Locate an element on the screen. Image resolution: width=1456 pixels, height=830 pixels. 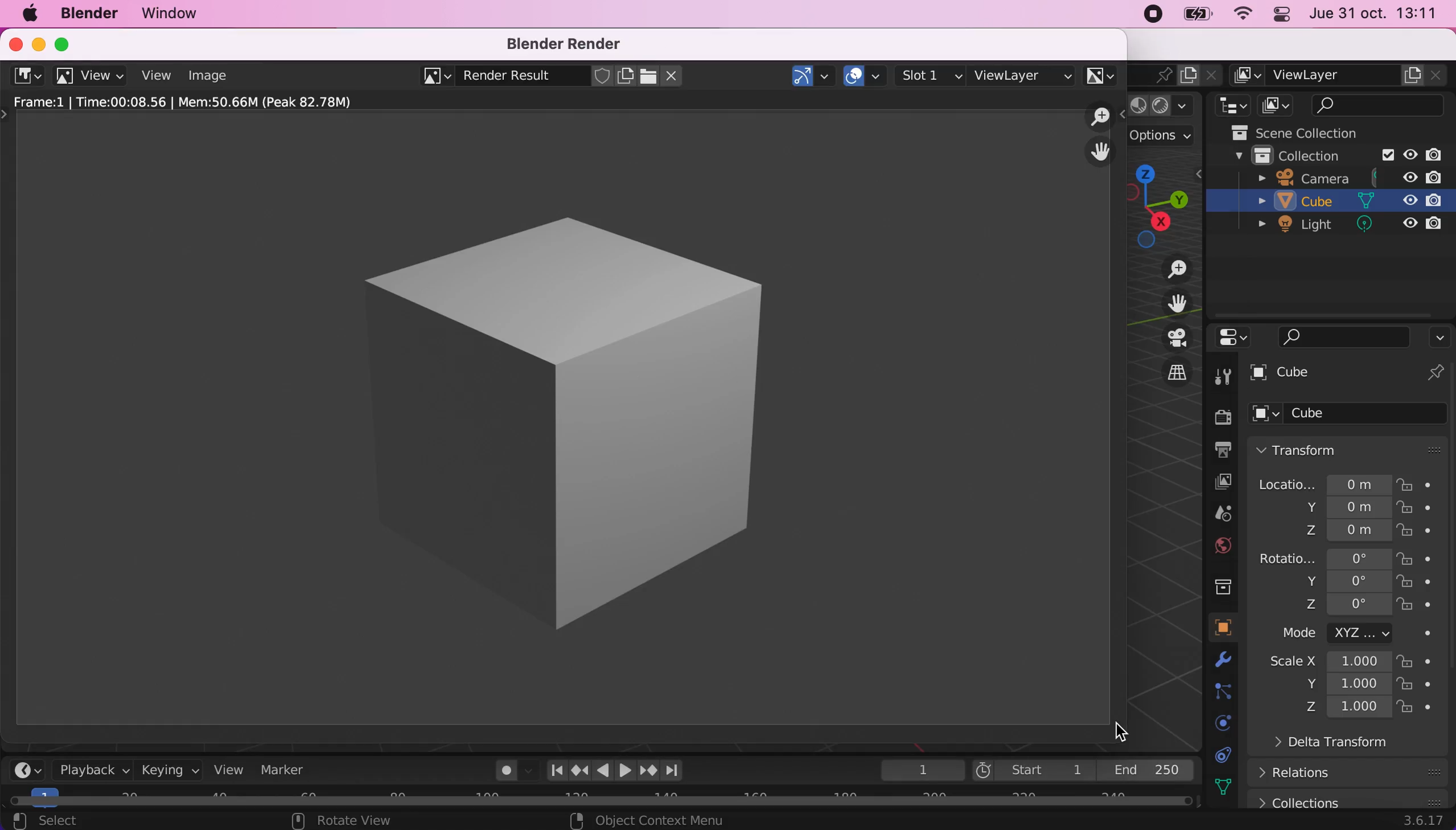
horizontal scroll bar is located at coordinates (607, 798).